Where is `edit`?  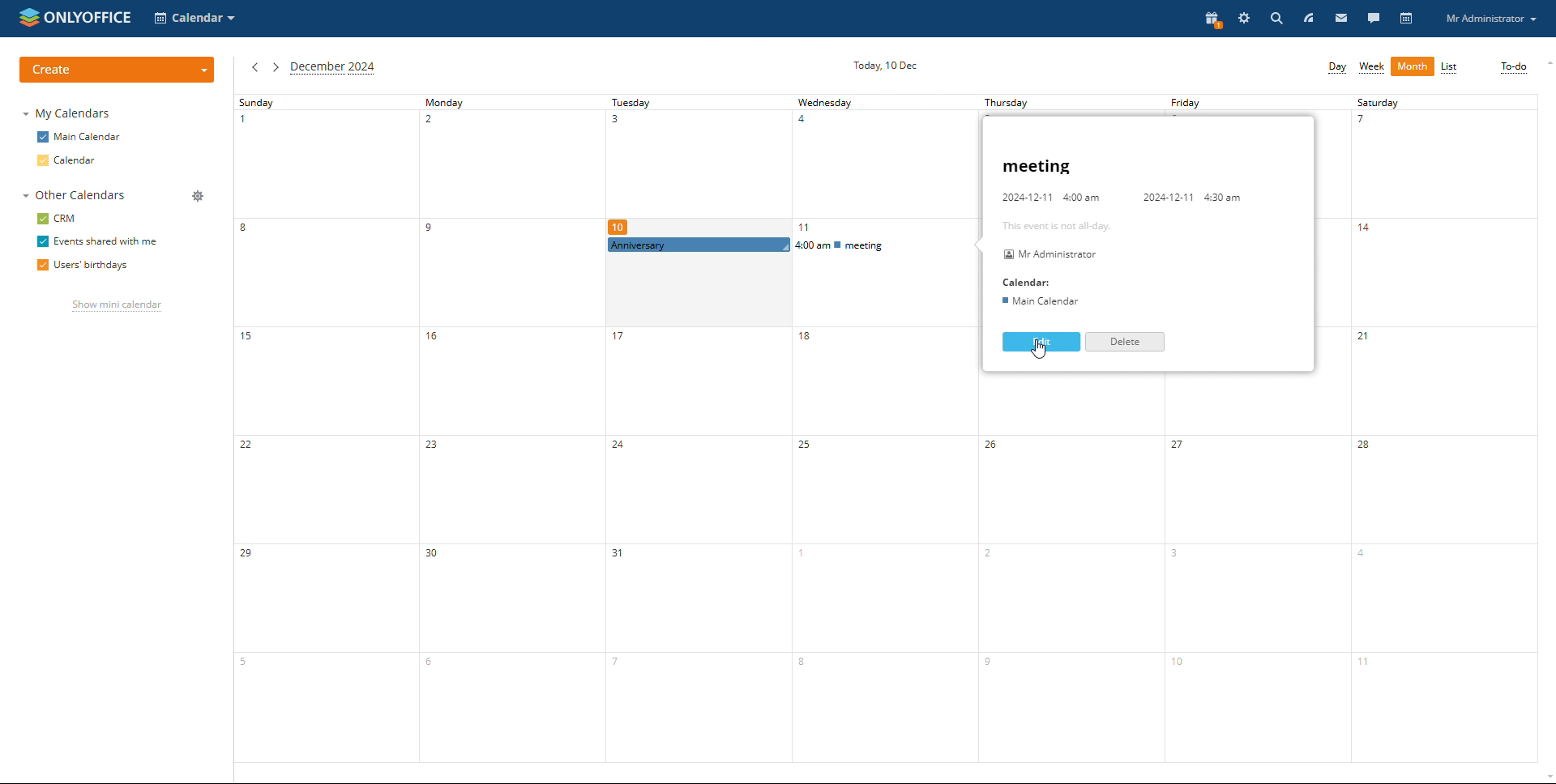
edit is located at coordinates (1040, 343).